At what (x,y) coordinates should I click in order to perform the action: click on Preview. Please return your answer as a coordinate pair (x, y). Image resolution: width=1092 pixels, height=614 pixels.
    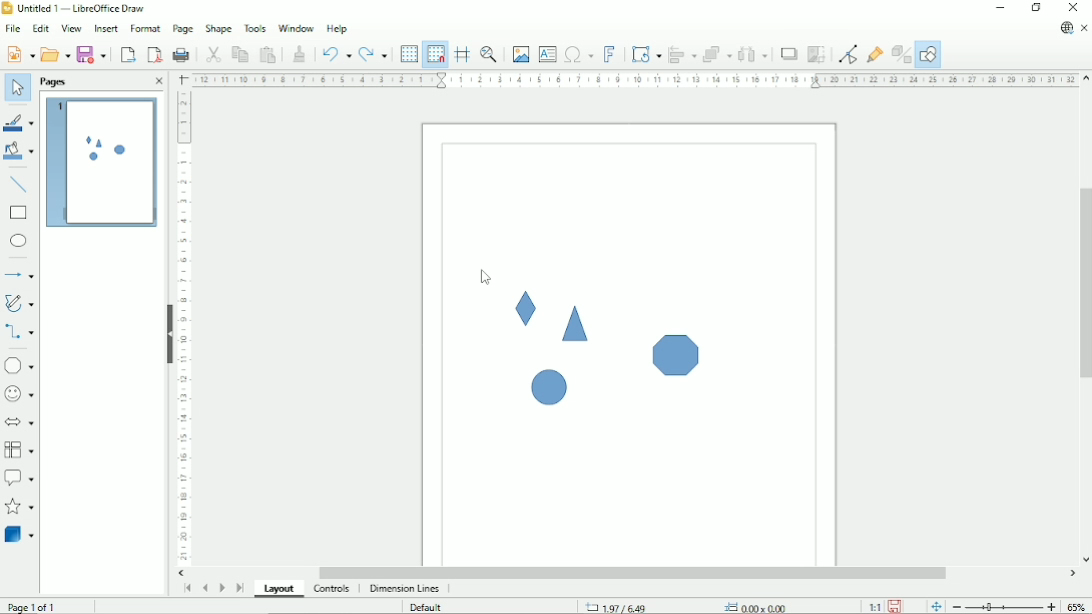
    Looking at the image, I should click on (101, 164).